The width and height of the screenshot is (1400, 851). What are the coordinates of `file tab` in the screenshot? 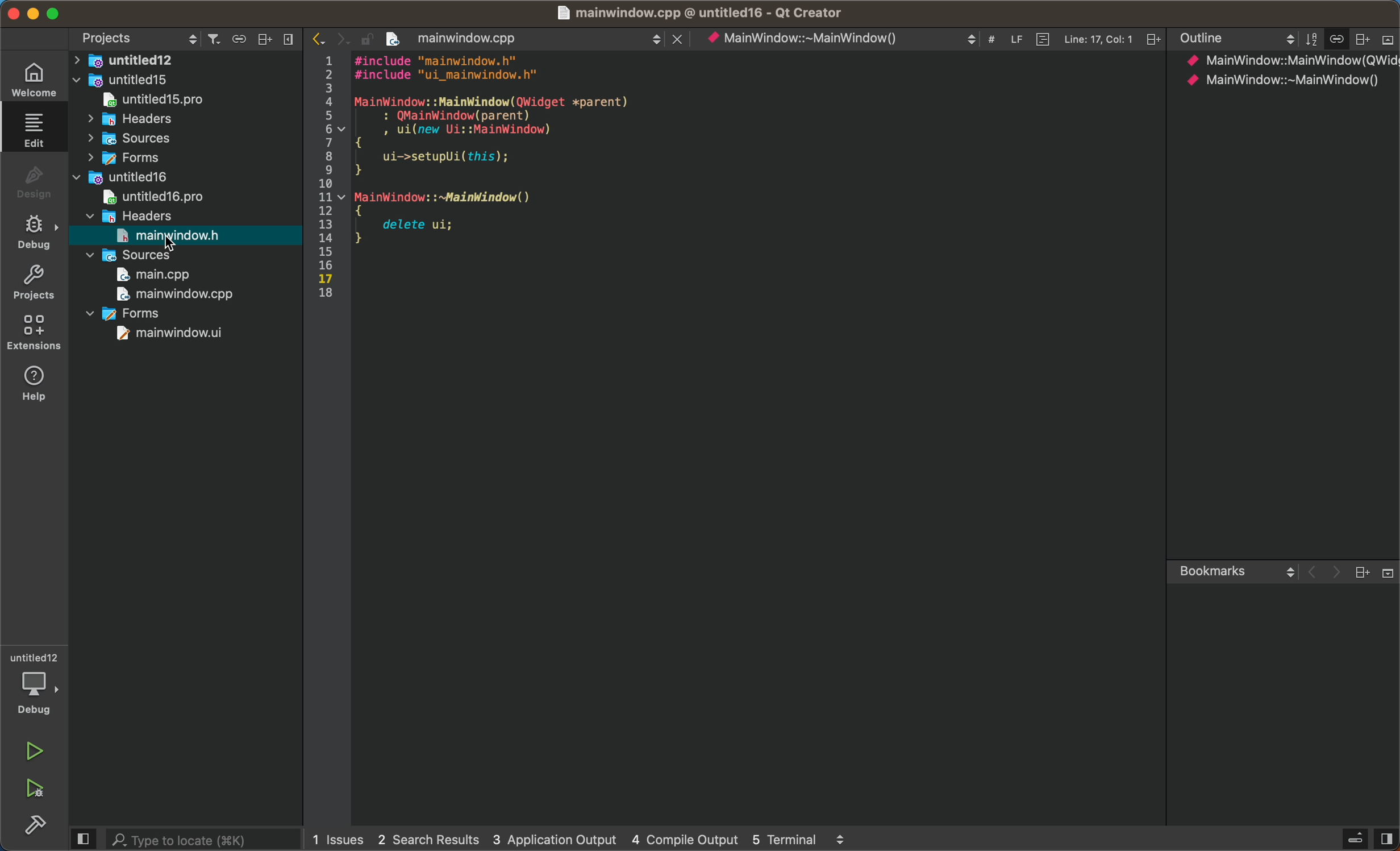 It's located at (523, 36).